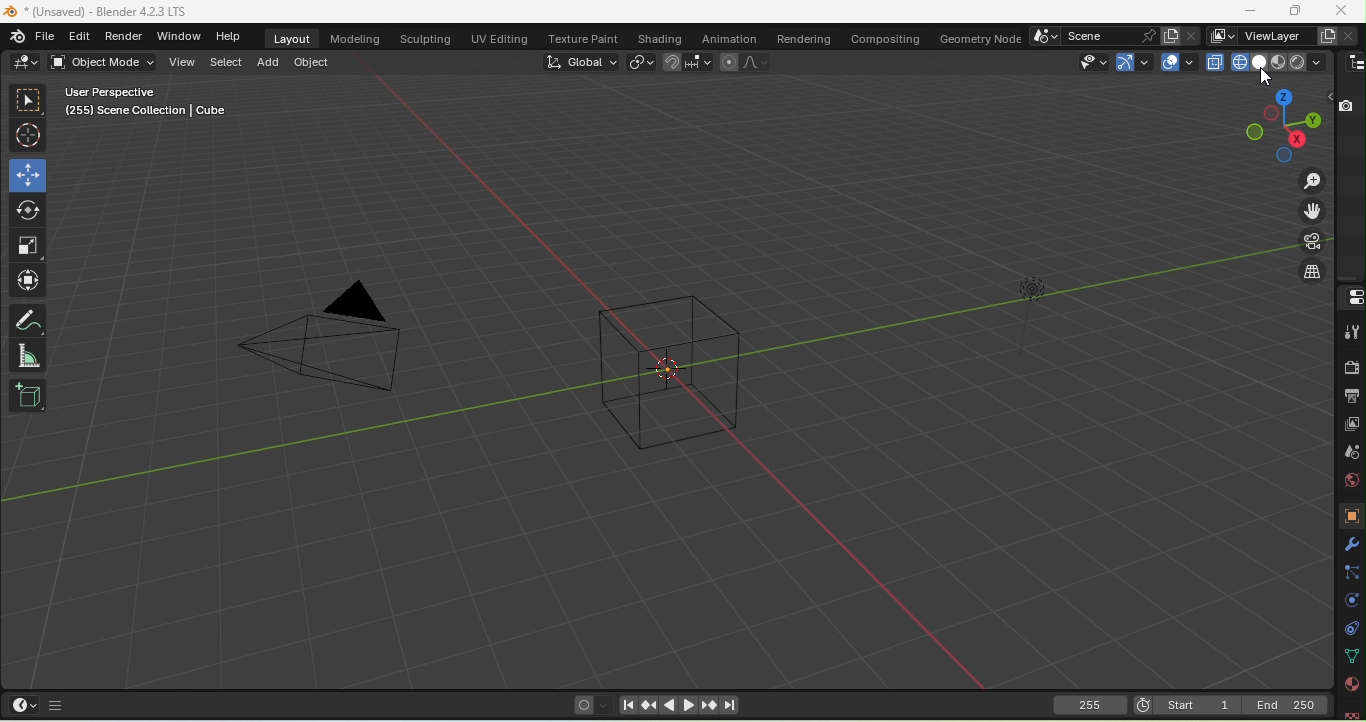 The image size is (1366, 722). What do you see at coordinates (1142, 704) in the screenshot?
I see `Use preview range` at bounding box center [1142, 704].